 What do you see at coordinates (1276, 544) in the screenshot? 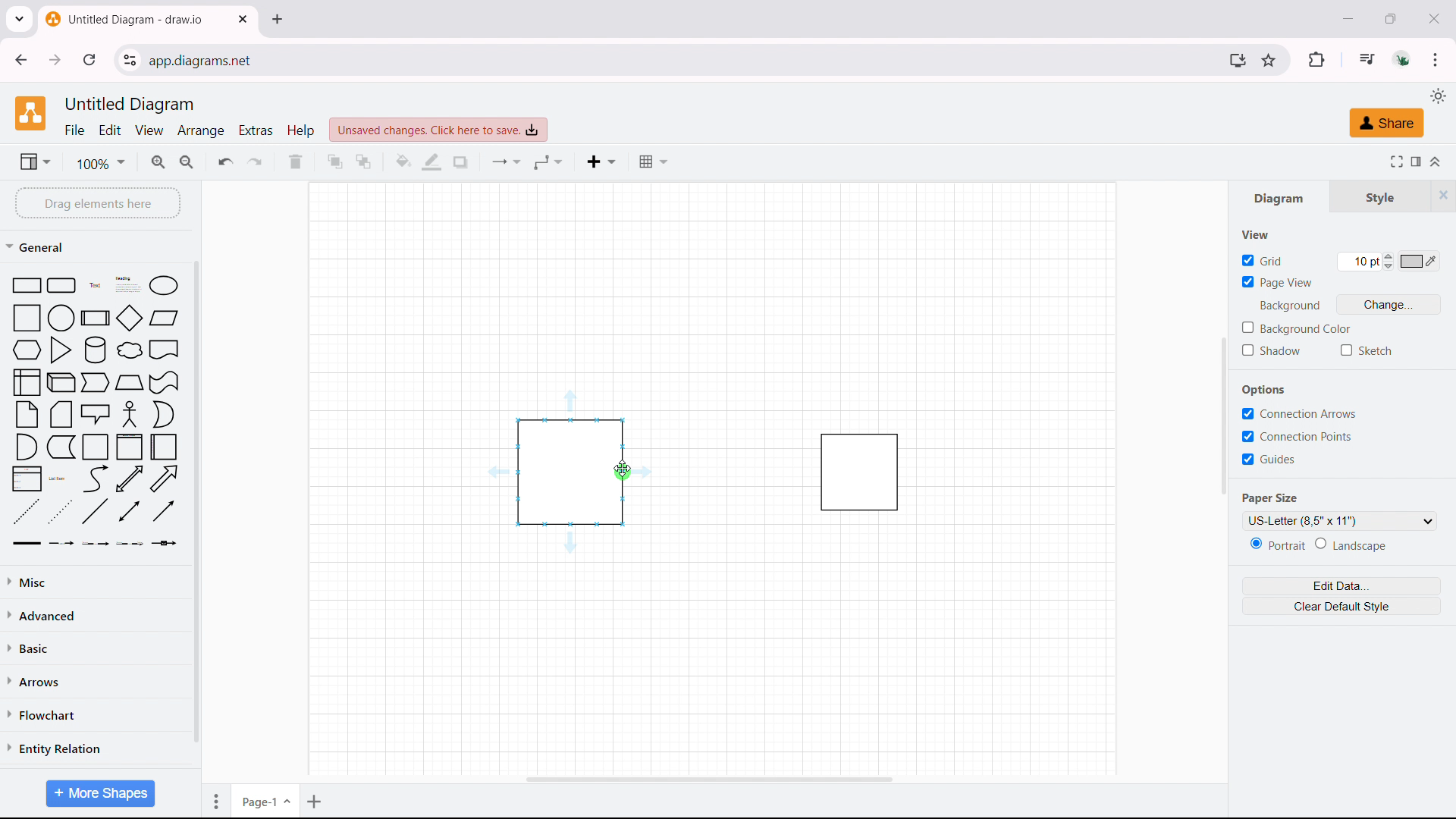
I see `portrait` at bounding box center [1276, 544].